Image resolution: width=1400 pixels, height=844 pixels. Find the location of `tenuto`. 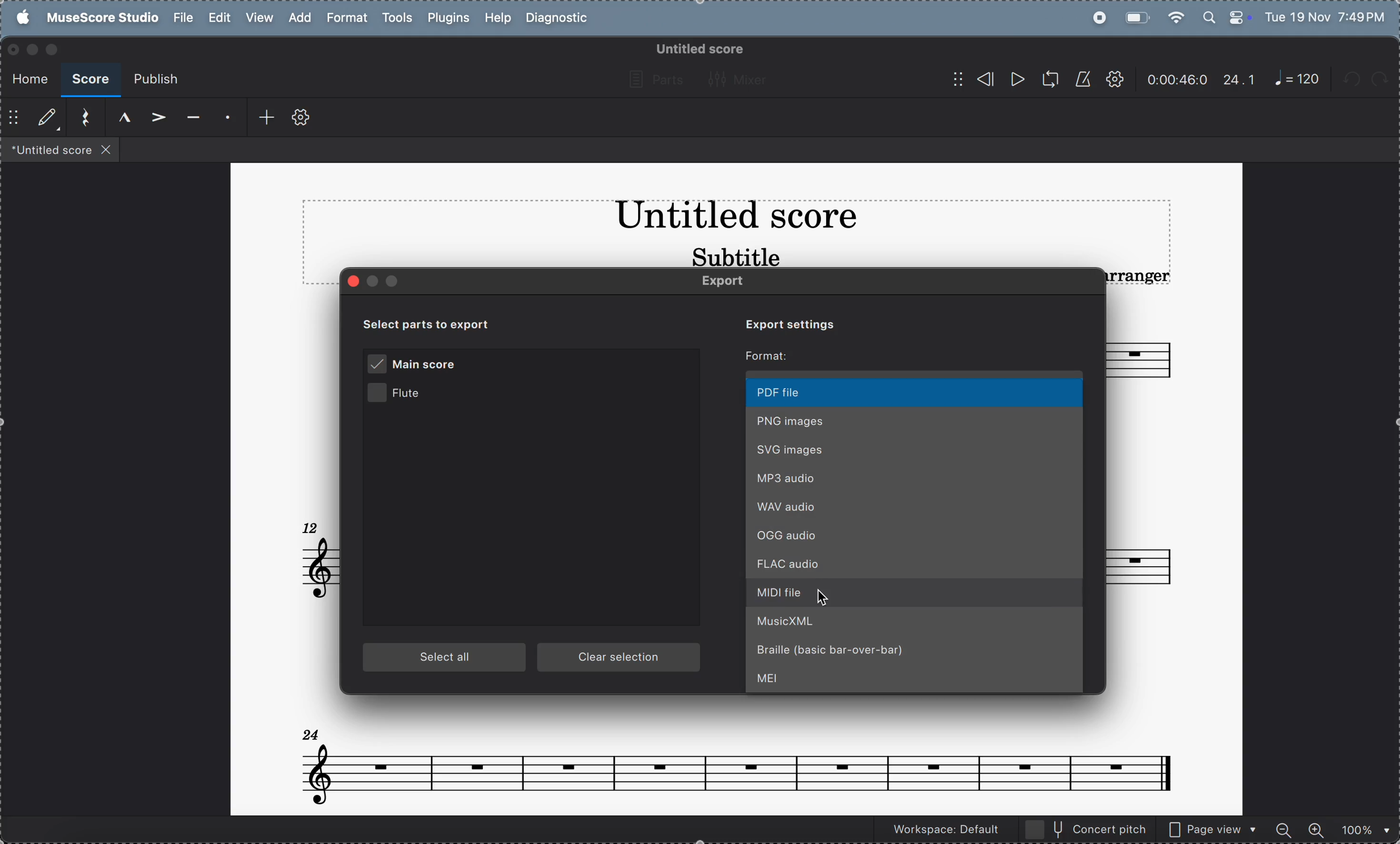

tenuto is located at coordinates (190, 119).